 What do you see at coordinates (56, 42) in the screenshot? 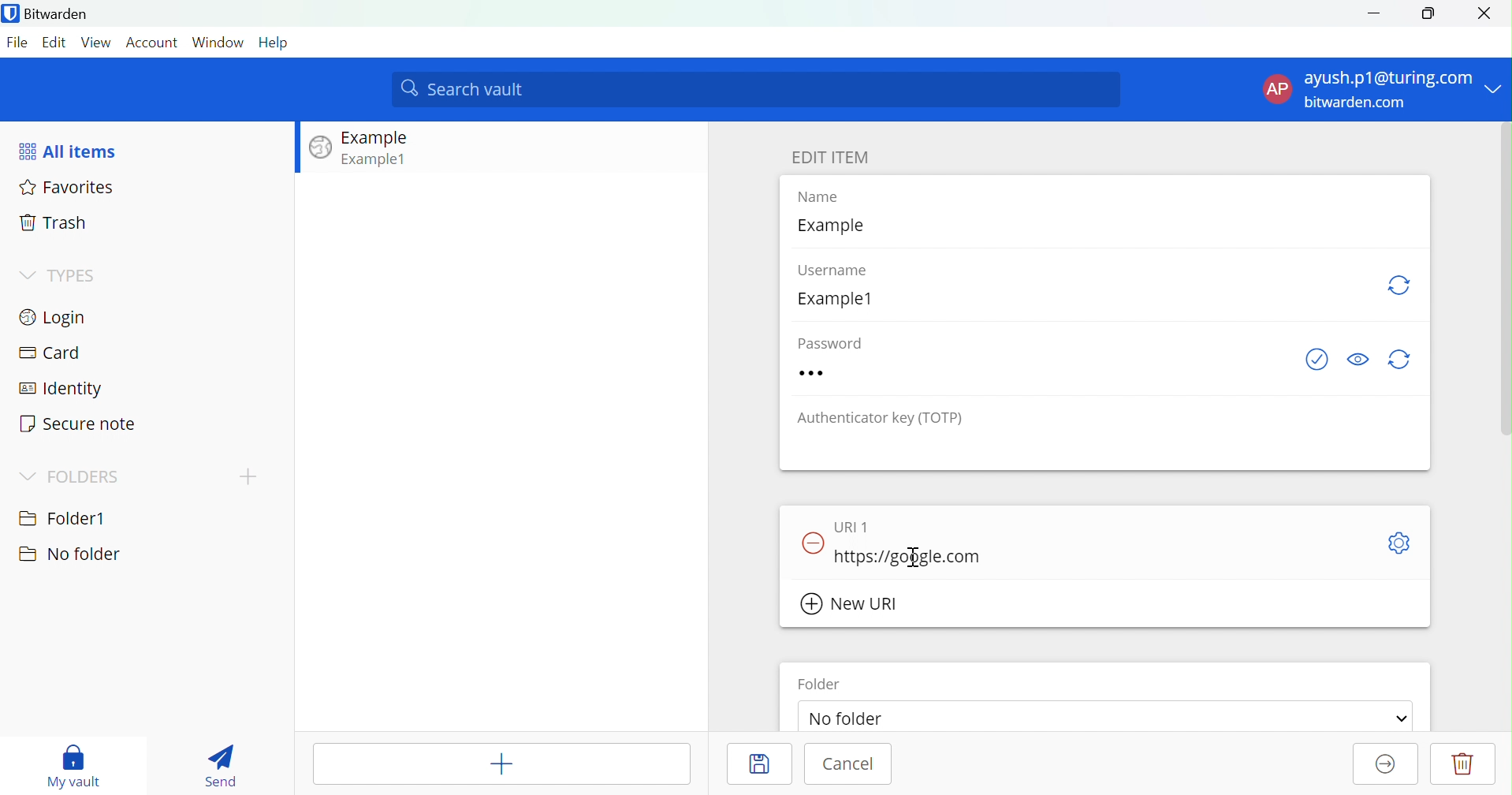
I see `Edit` at bounding box center [56, 42].